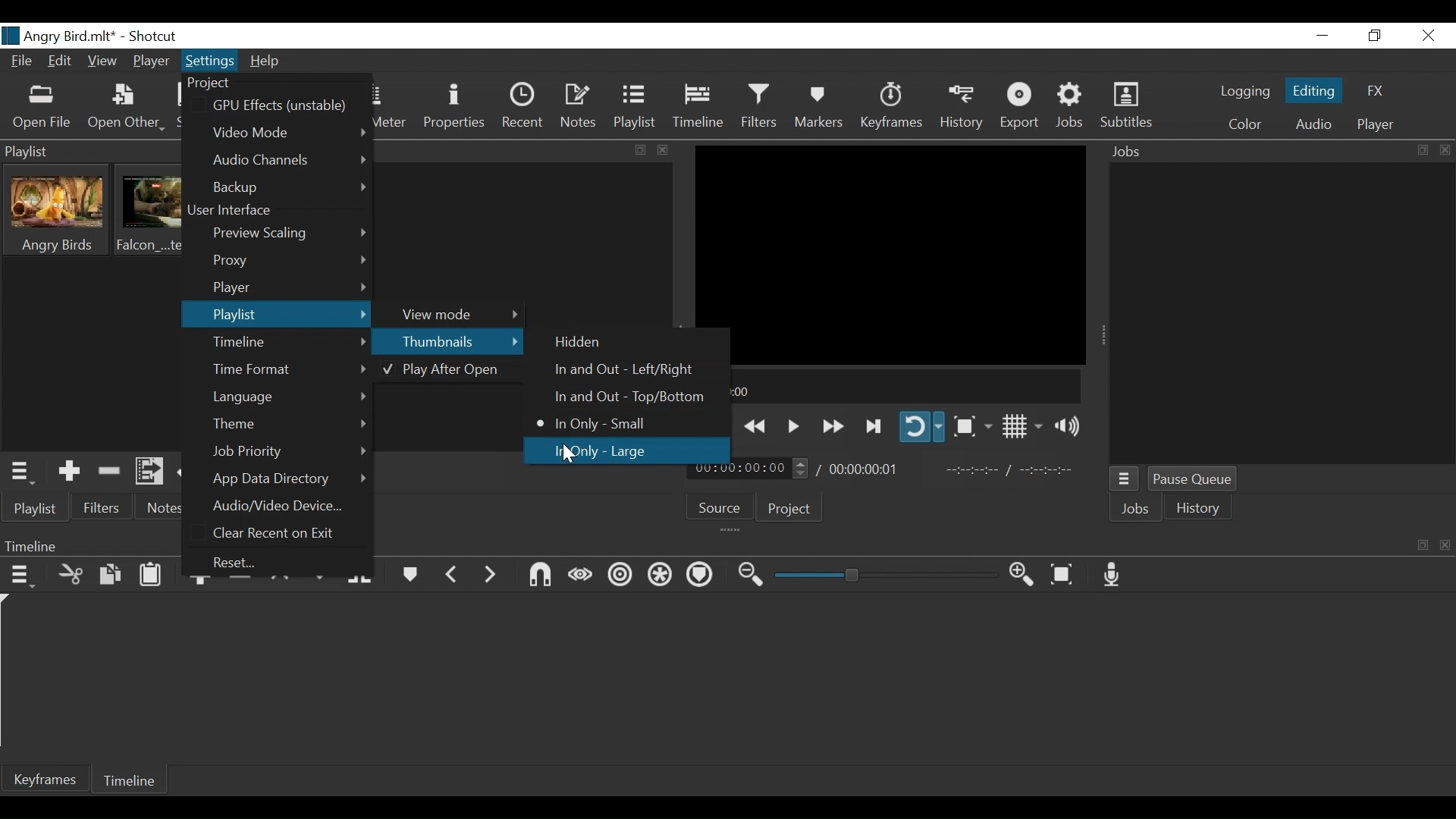 The width and height of the screenshot is (1456, 819). I want to click on History, so click(1199, 507).